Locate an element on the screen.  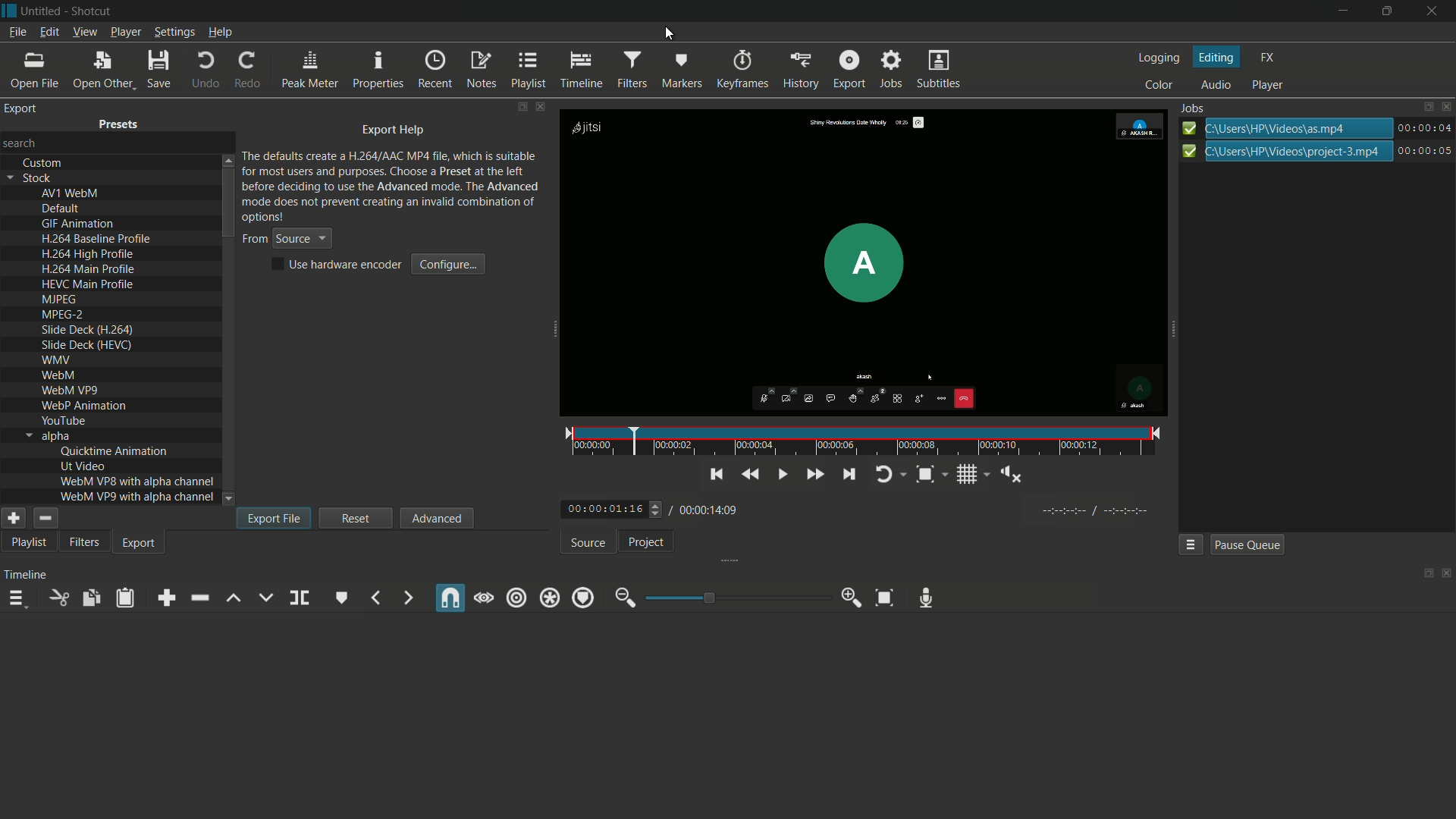
markers is located at coordinates (682, 71).